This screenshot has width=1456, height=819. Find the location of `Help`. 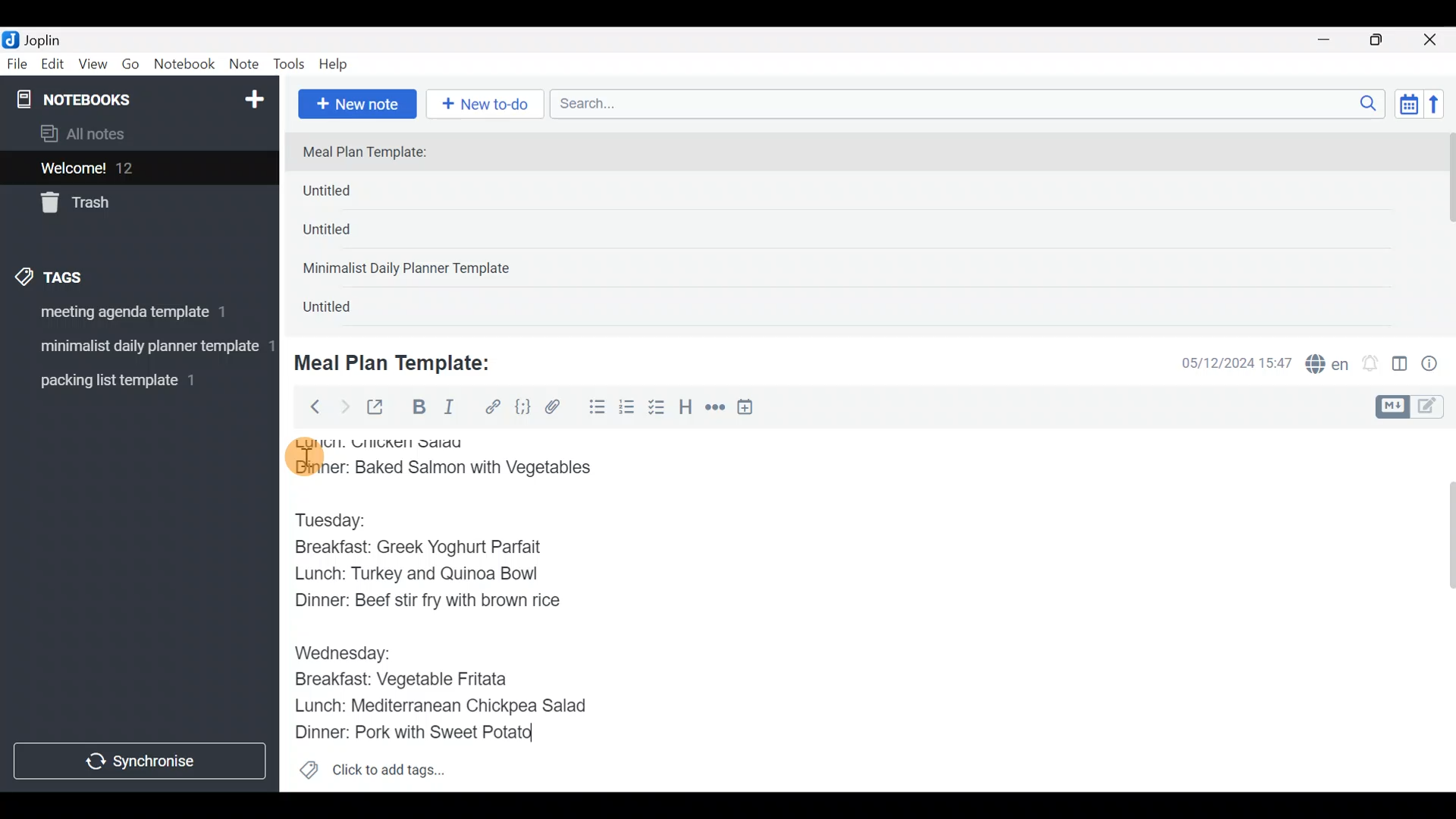

Help is located at coordinates (339, 61).